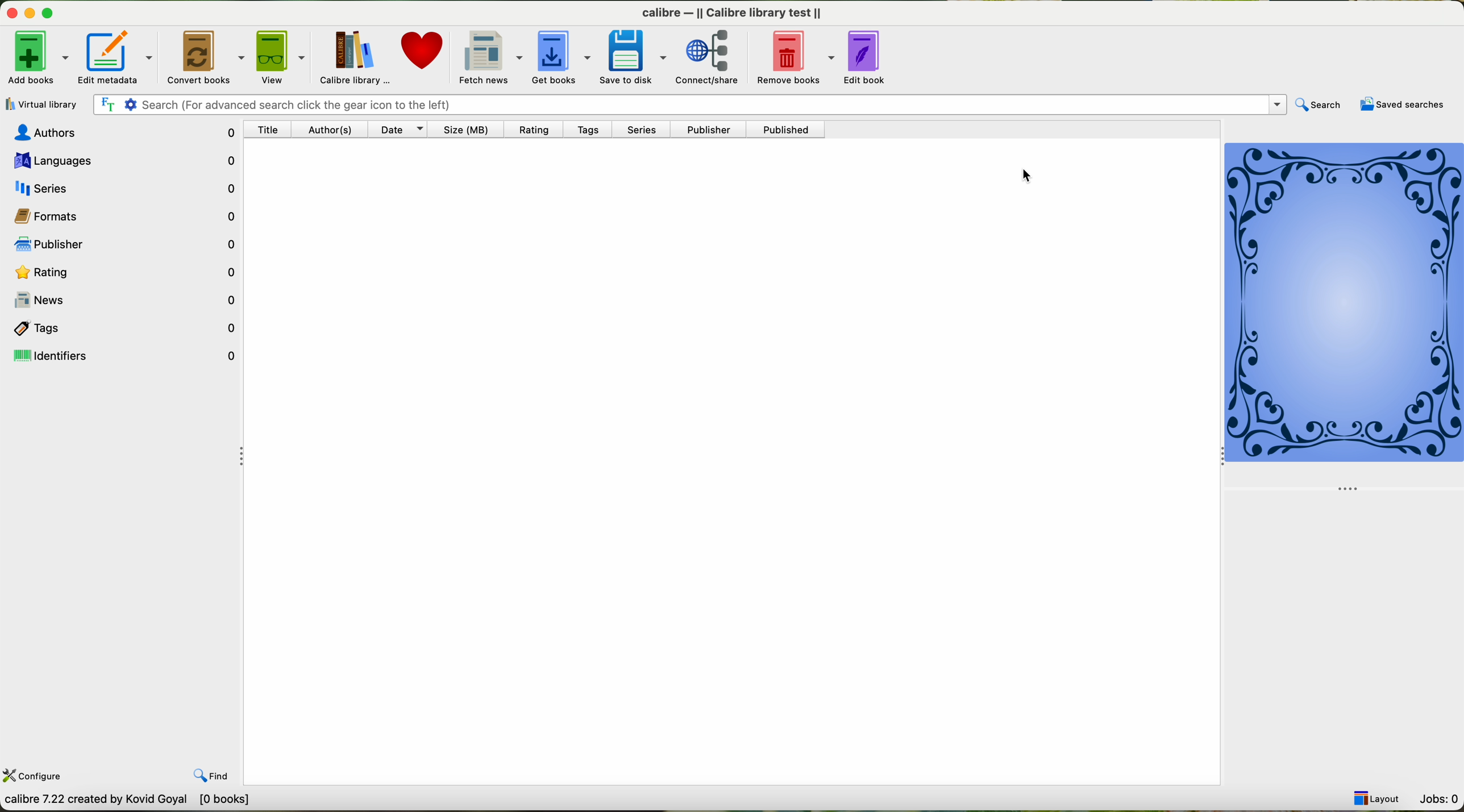 The width and height of the screenshot is (1464, 812). What do you see at coordinates (121, 215) in the screenshot?
I see `formats` at bounding box center [121, 215].